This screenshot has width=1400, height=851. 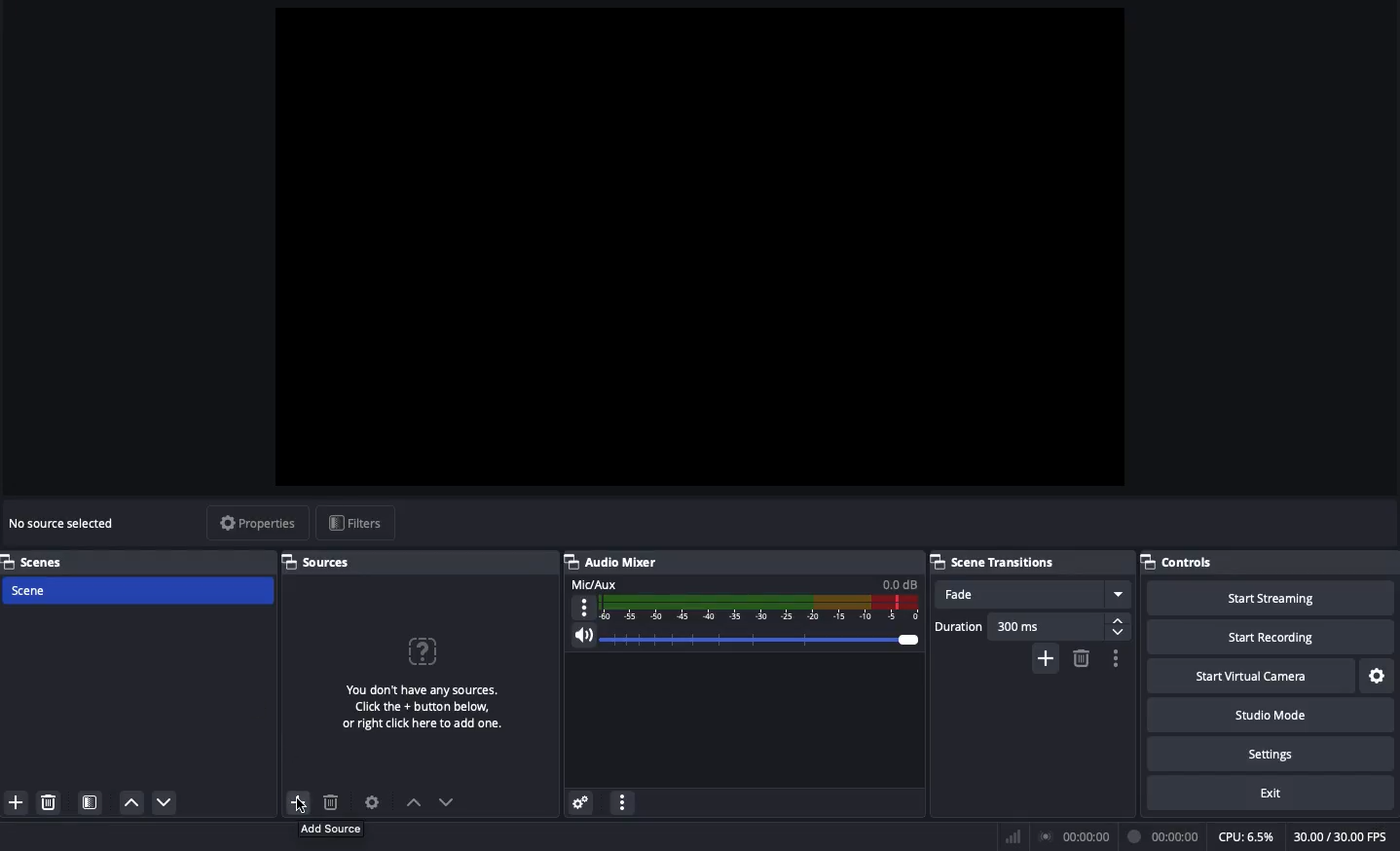 I want to click on FPS, so click(x=1343, y=836).